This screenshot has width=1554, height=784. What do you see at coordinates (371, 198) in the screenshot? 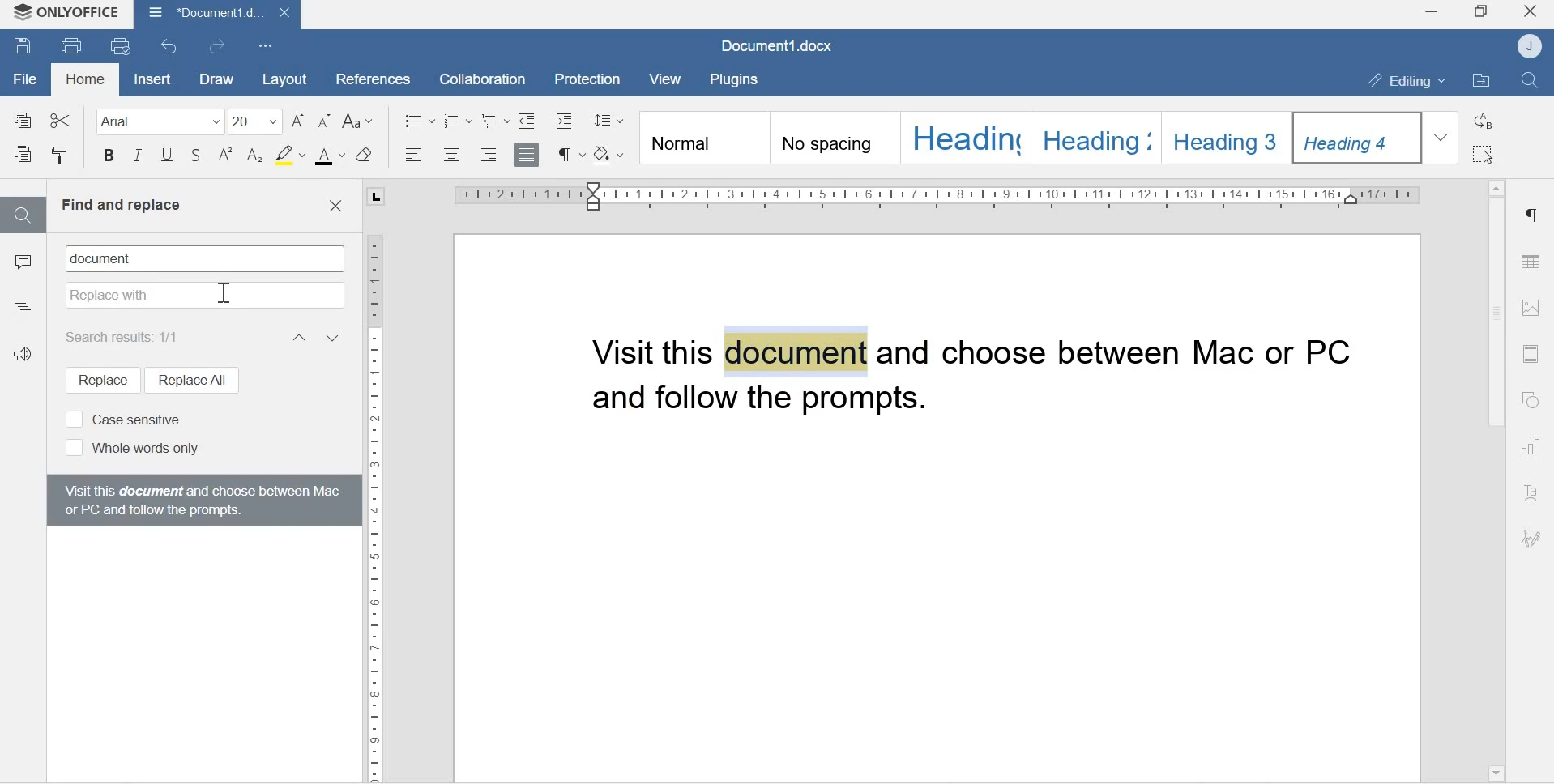
I see `tab stop` at bounding box center [371, 198].